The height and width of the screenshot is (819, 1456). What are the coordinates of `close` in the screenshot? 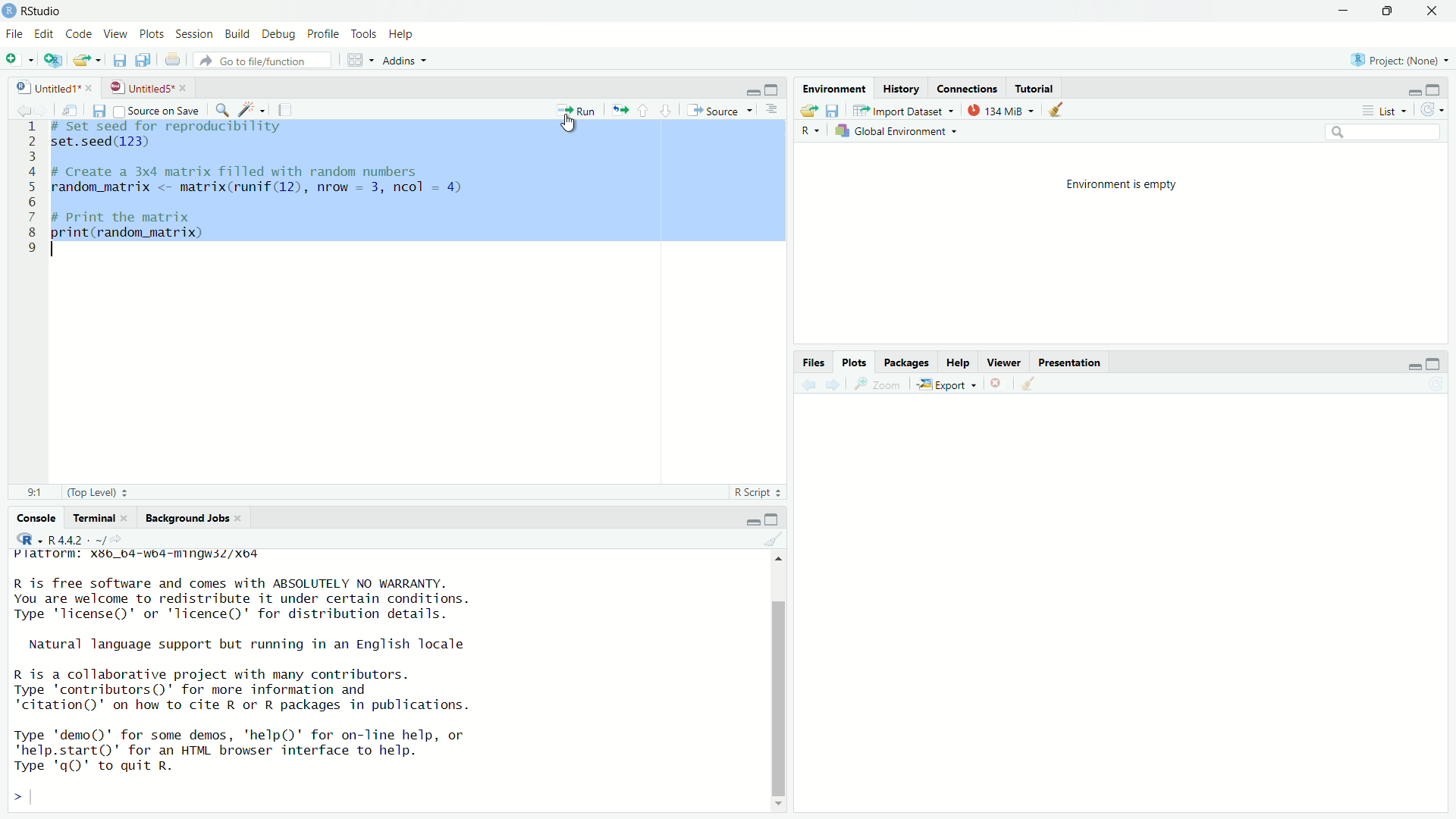 It's located at (997, 383).